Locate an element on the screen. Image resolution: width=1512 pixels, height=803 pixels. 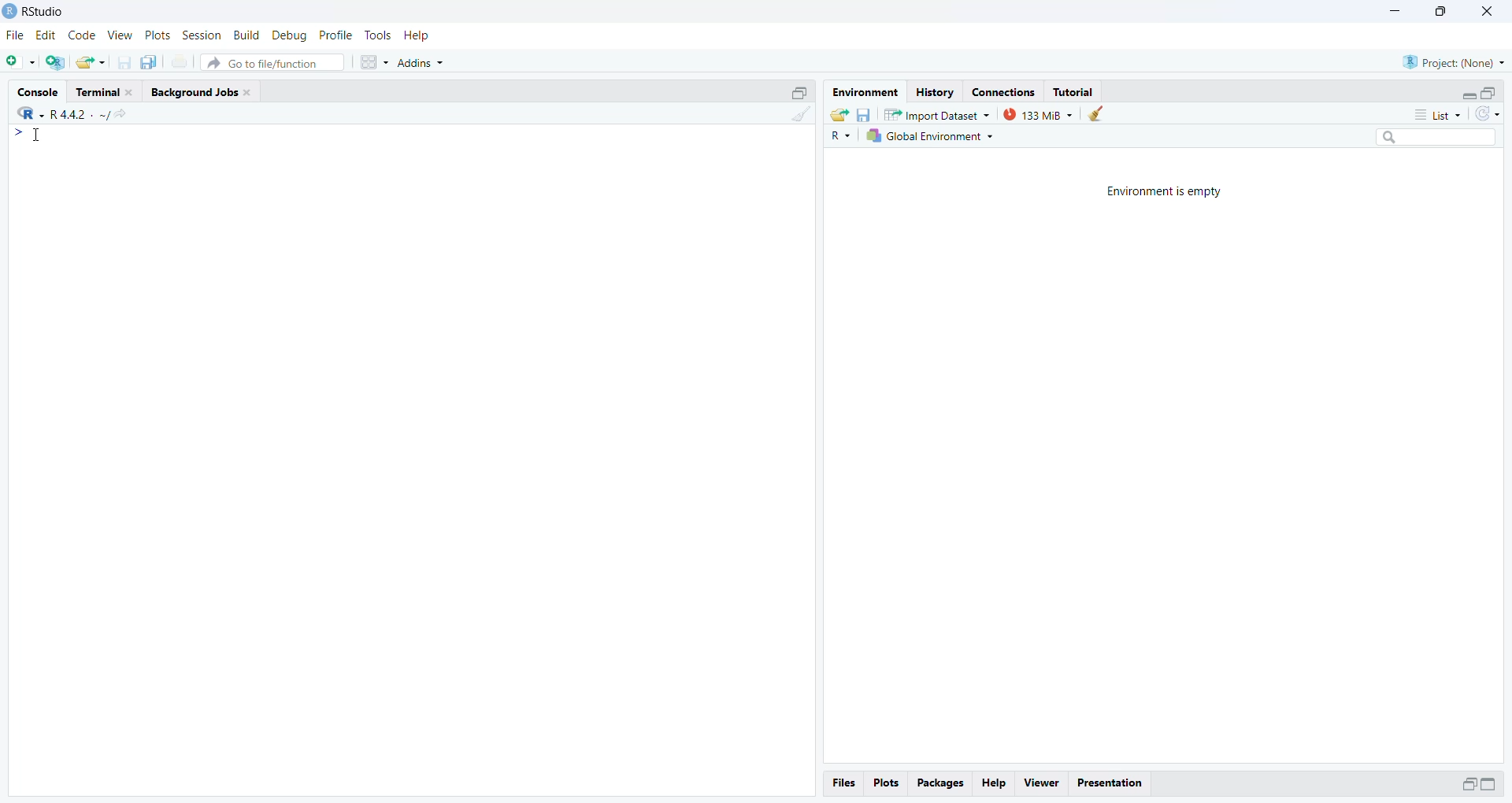
Workspaces pane is located at coordinates (375, 62).